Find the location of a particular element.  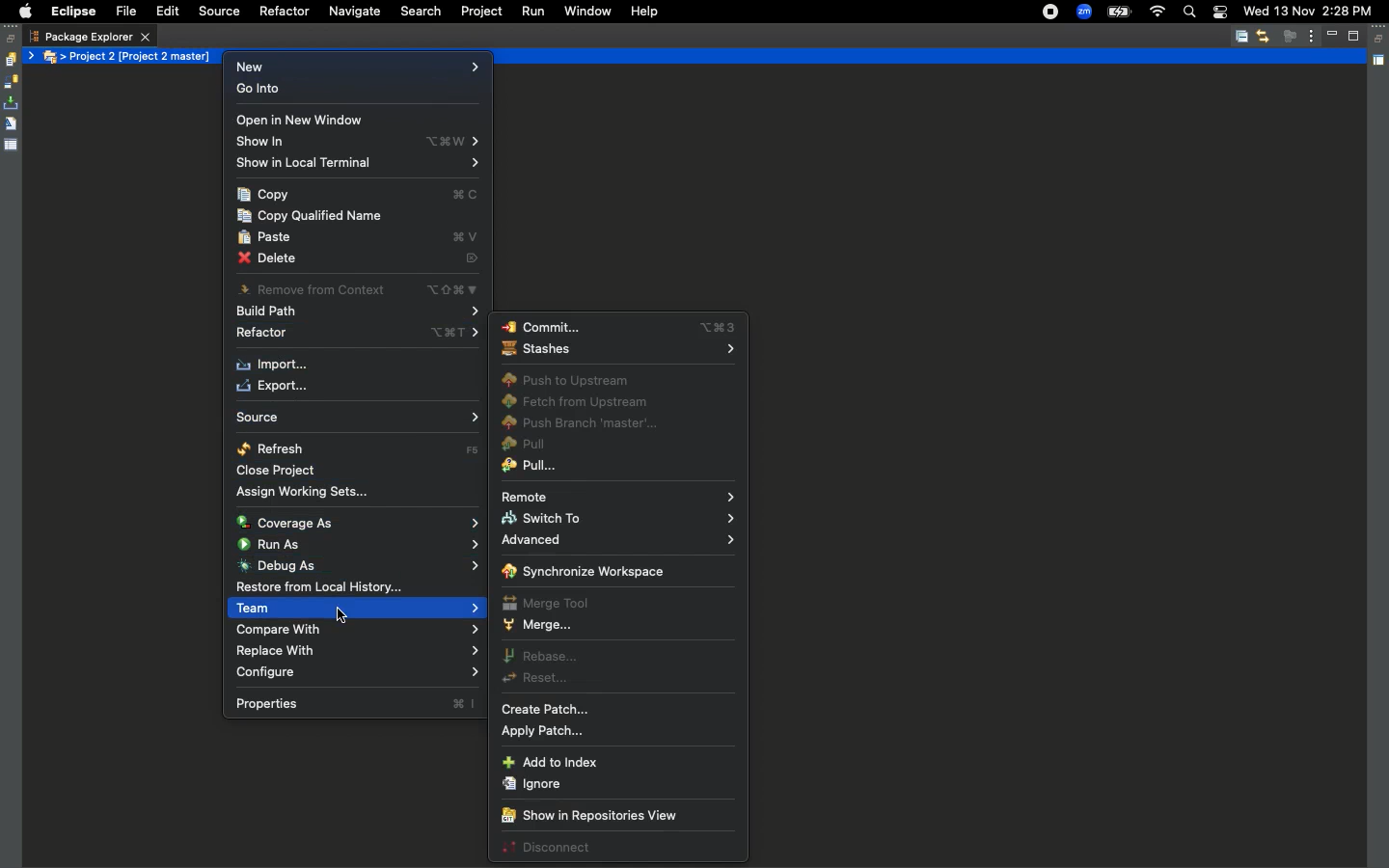

Coverage as is located at coordinates (355, 521).